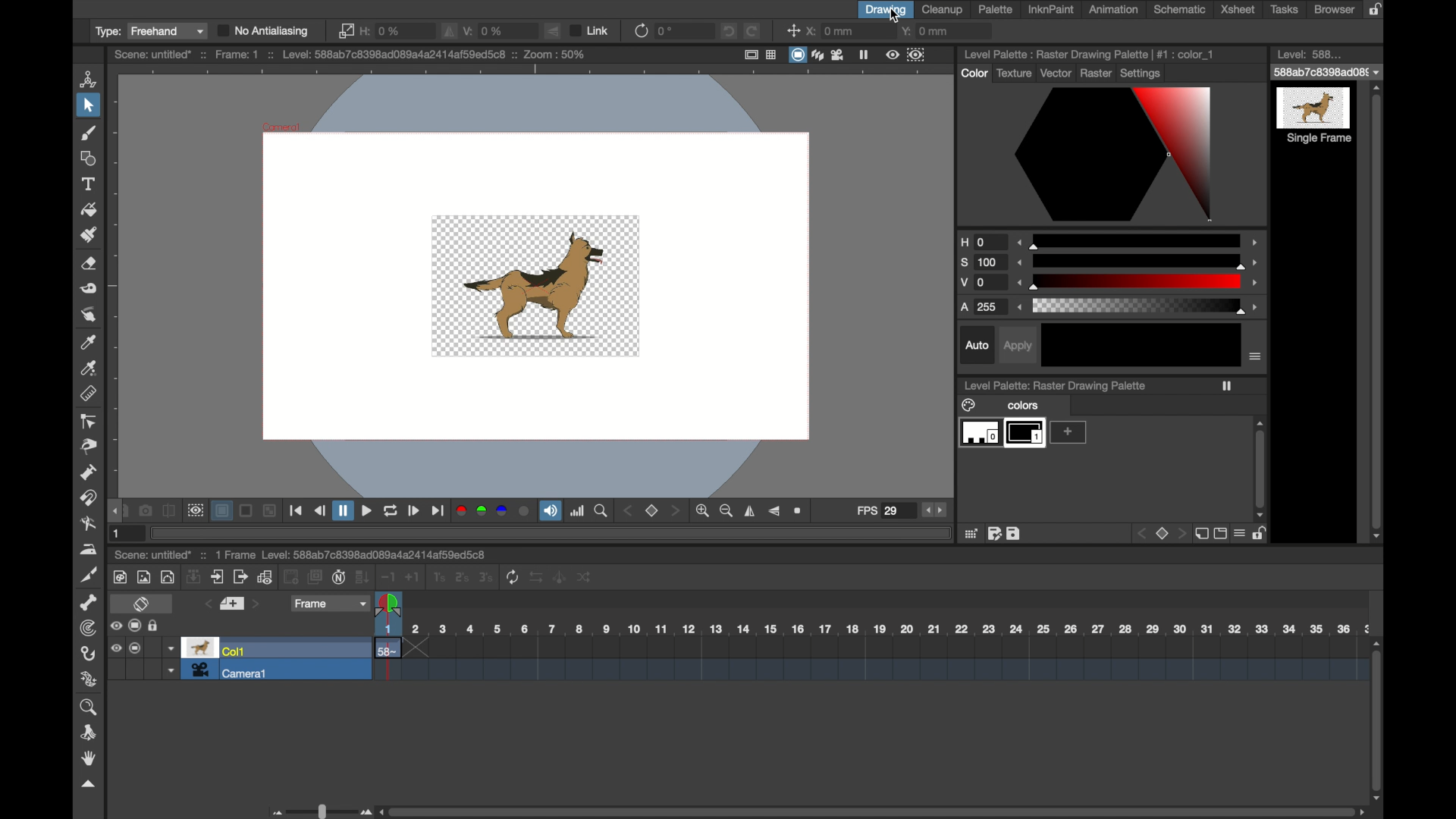  I want to click on browser, so click(1334, 9).